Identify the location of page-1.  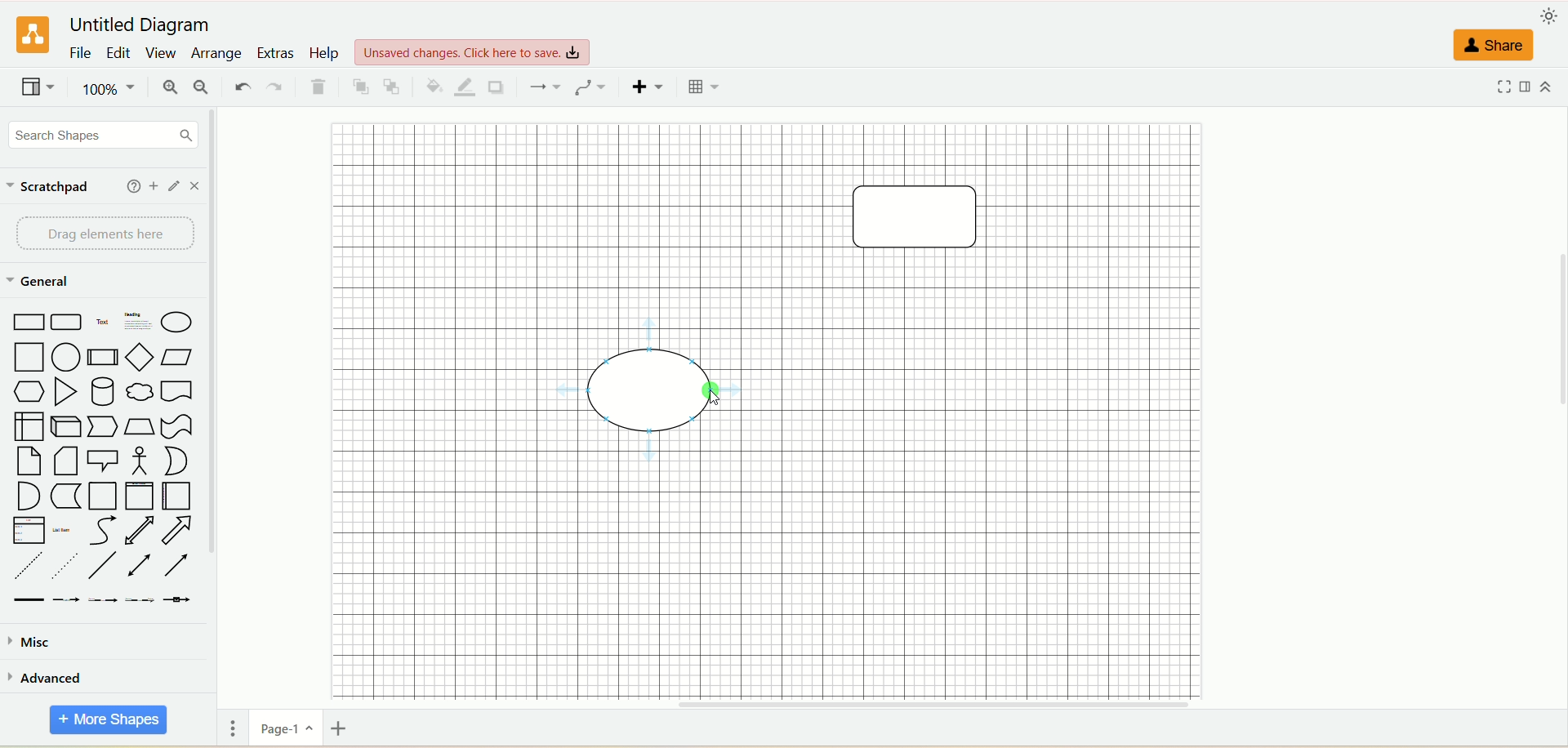
(283, 728).